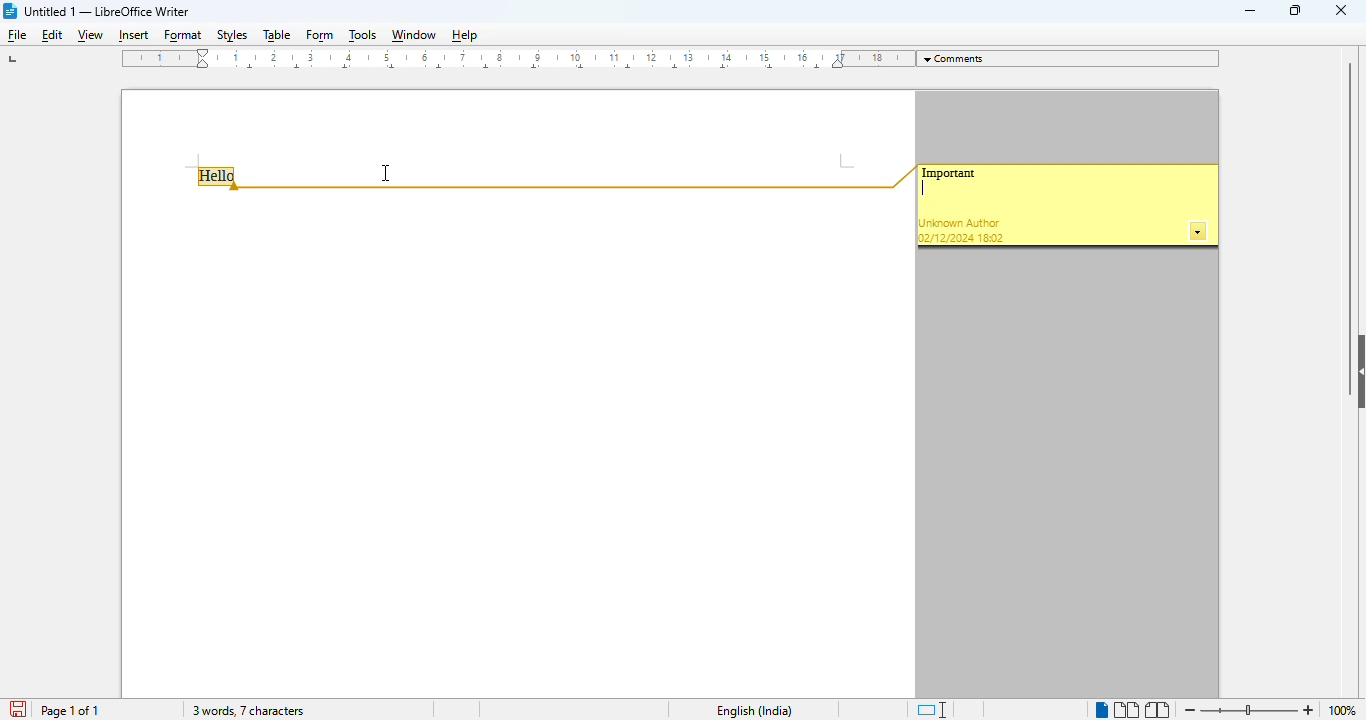 The image size is (1366, 720). Describe the element at coordinates (1349, 192) in the screenshot. I see `vertical scroll bar` at that location.